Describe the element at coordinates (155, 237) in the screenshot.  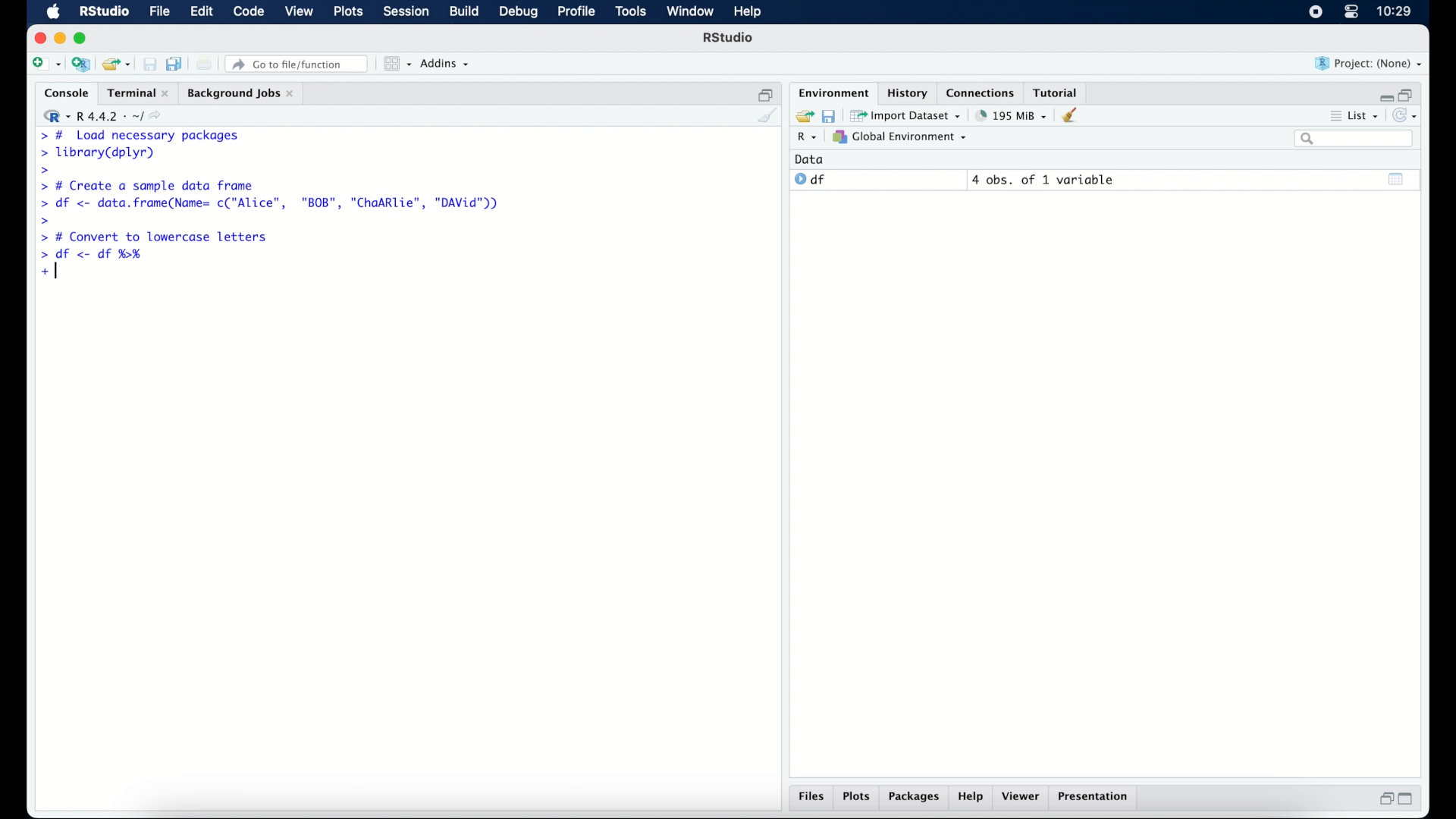
I see `> # Convert to lowercase letters|` at that location.